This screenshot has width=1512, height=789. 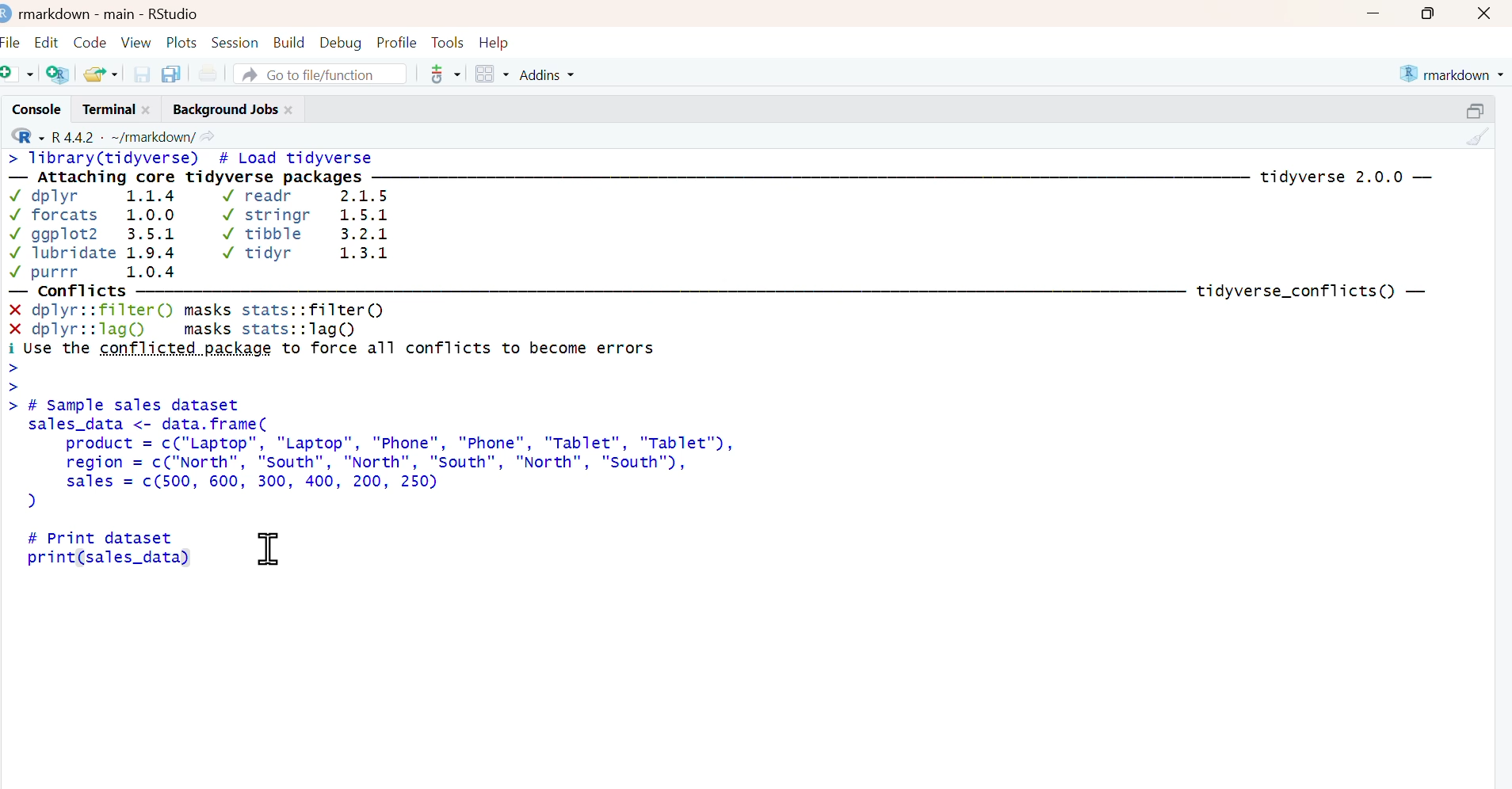 What do you see at coordinates (90, 38) in the screenshot?
I see `Code` at bounding box center [90, 38].